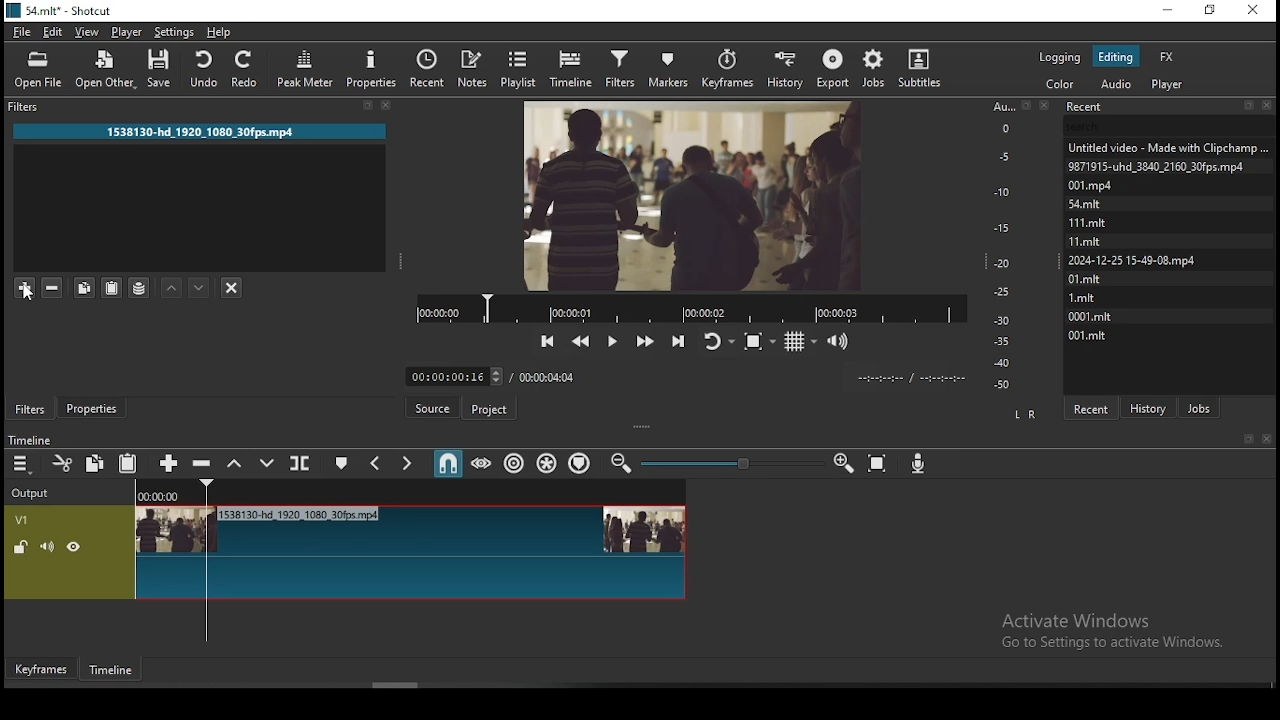 The image size is (1280, 720). I want to click on copy, so click(95, 462).